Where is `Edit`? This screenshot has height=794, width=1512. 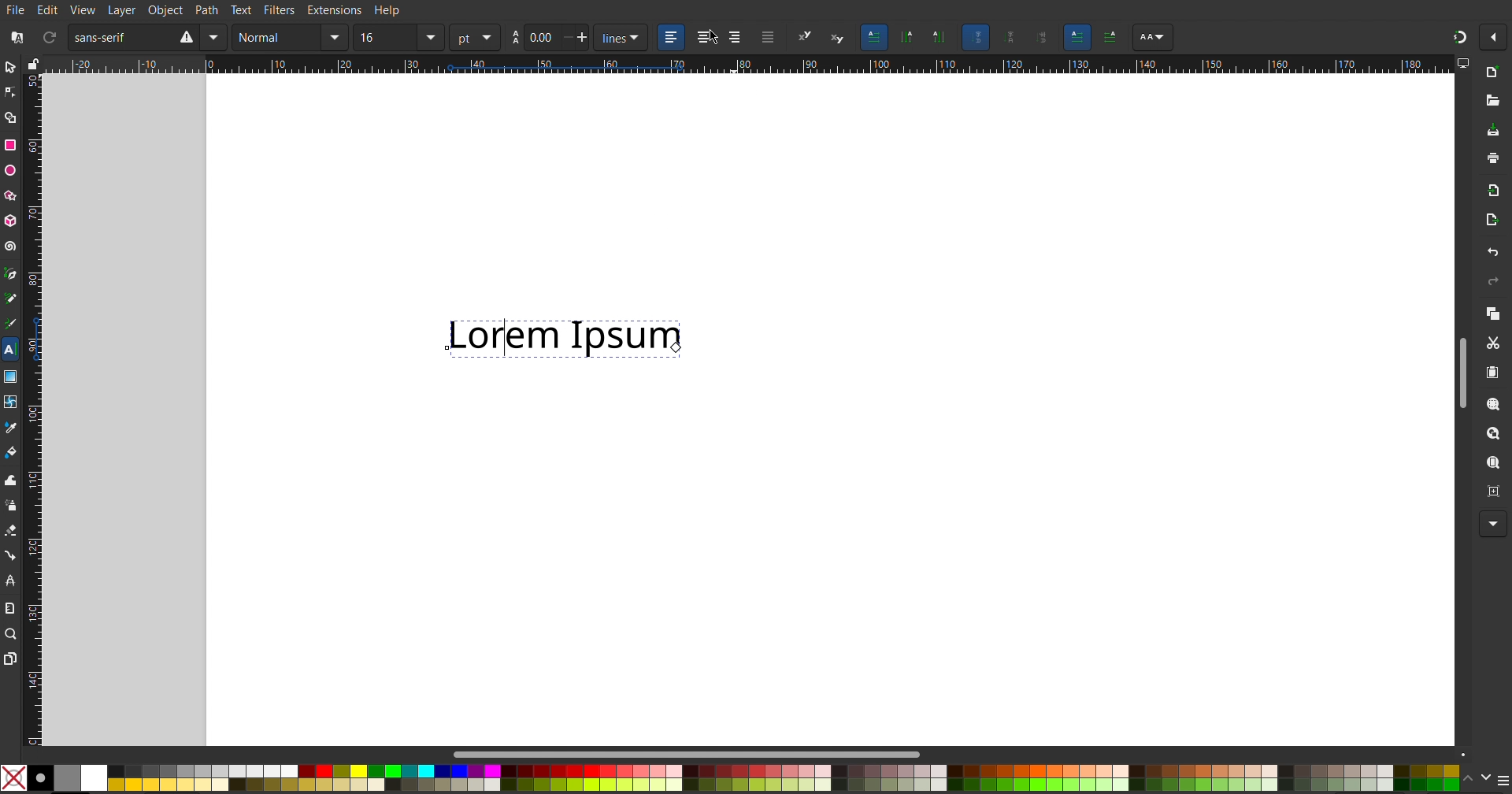 Edit is located at coordinates (46, 9).